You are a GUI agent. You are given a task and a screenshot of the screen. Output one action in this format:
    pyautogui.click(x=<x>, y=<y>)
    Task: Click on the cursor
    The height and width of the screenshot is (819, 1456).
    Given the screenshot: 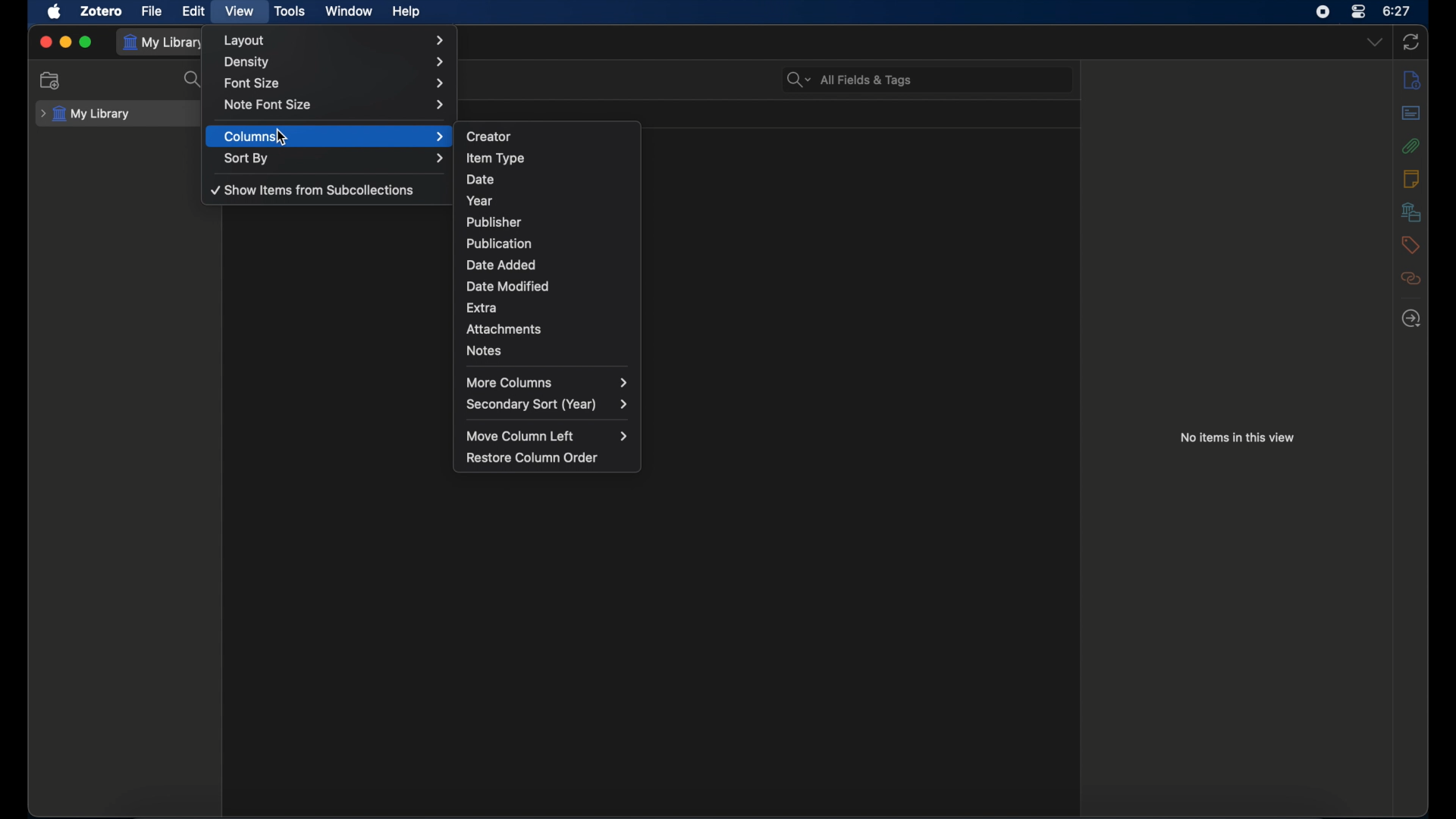 What is the action you would take?
    pyautogui.click(x=284, y=135)
    